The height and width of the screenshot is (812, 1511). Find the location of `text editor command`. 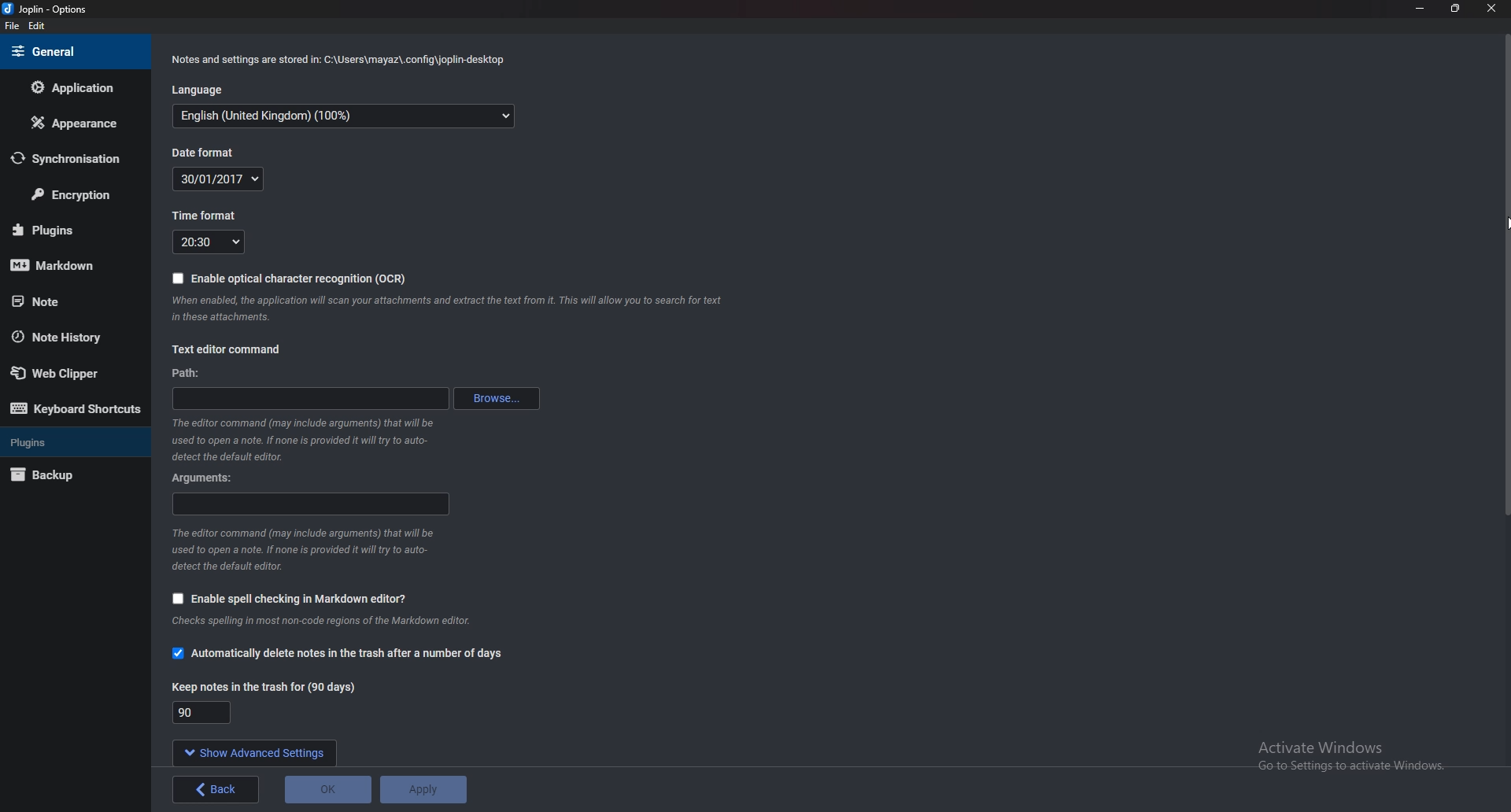

text editor command is located at coordinates (230, 349).